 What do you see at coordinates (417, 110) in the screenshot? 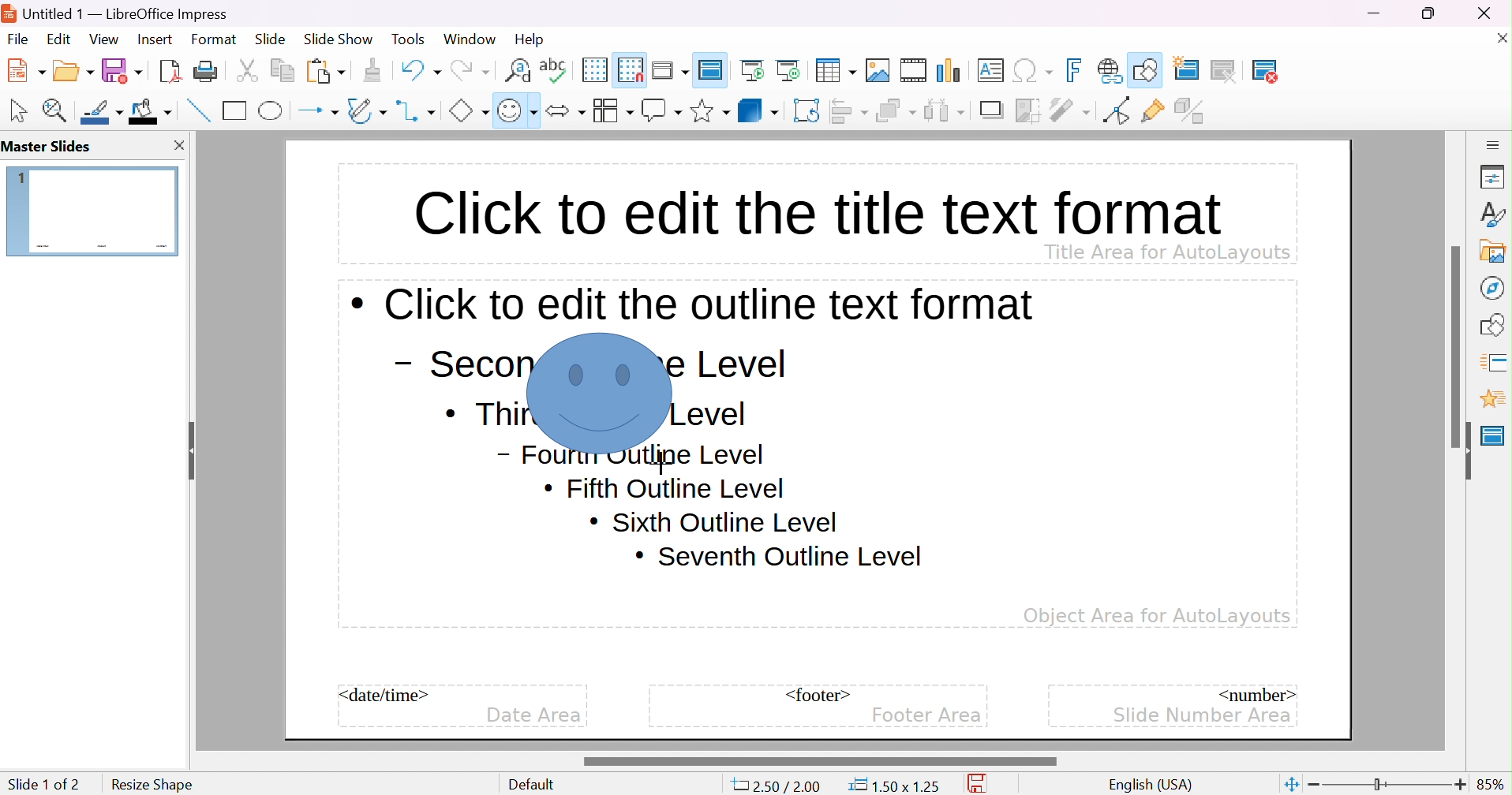
I see `connectors` at bounding box center [417, 110].